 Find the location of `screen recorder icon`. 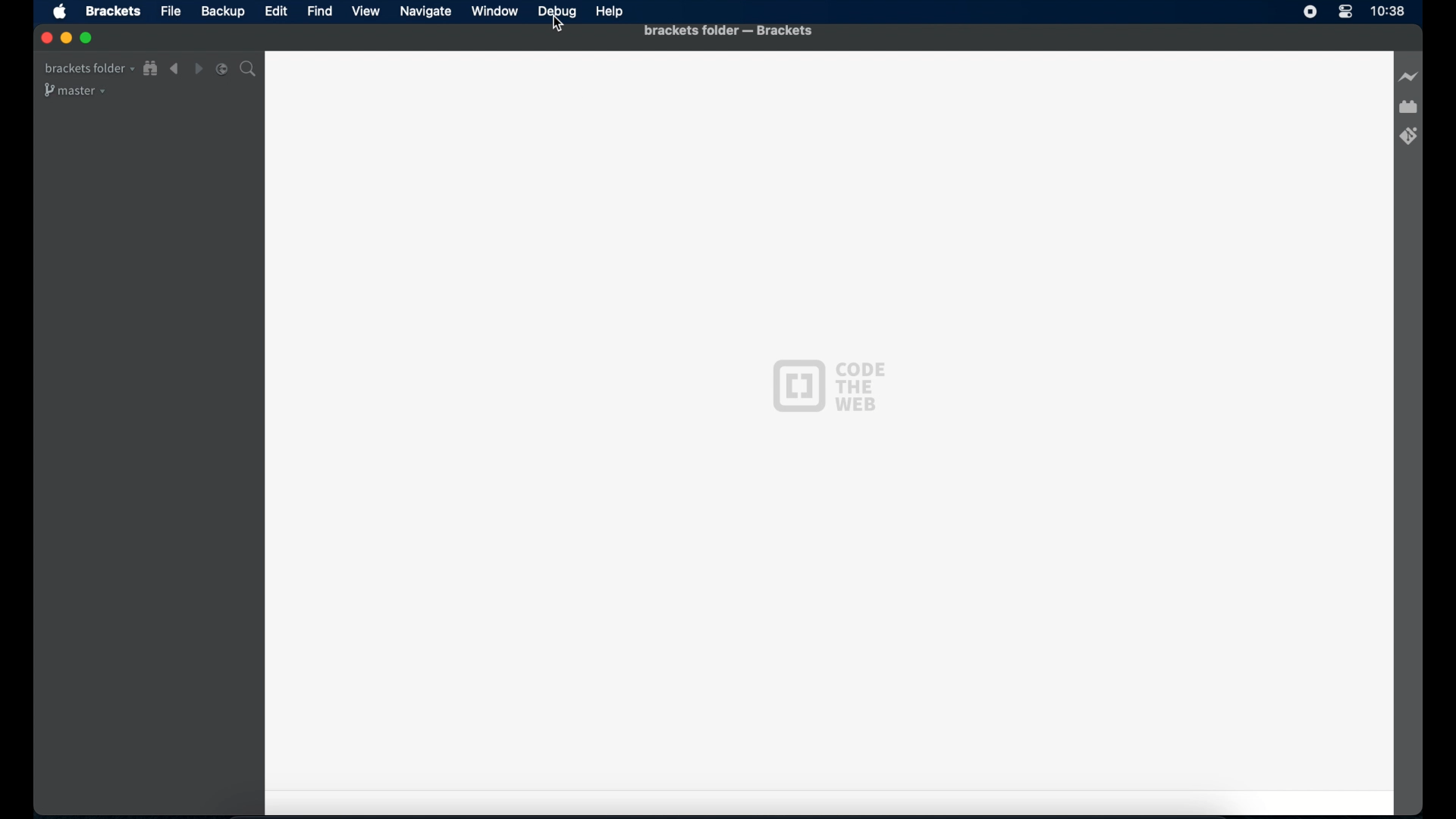

screen recorder icon is located at coordinates (1310, 11).